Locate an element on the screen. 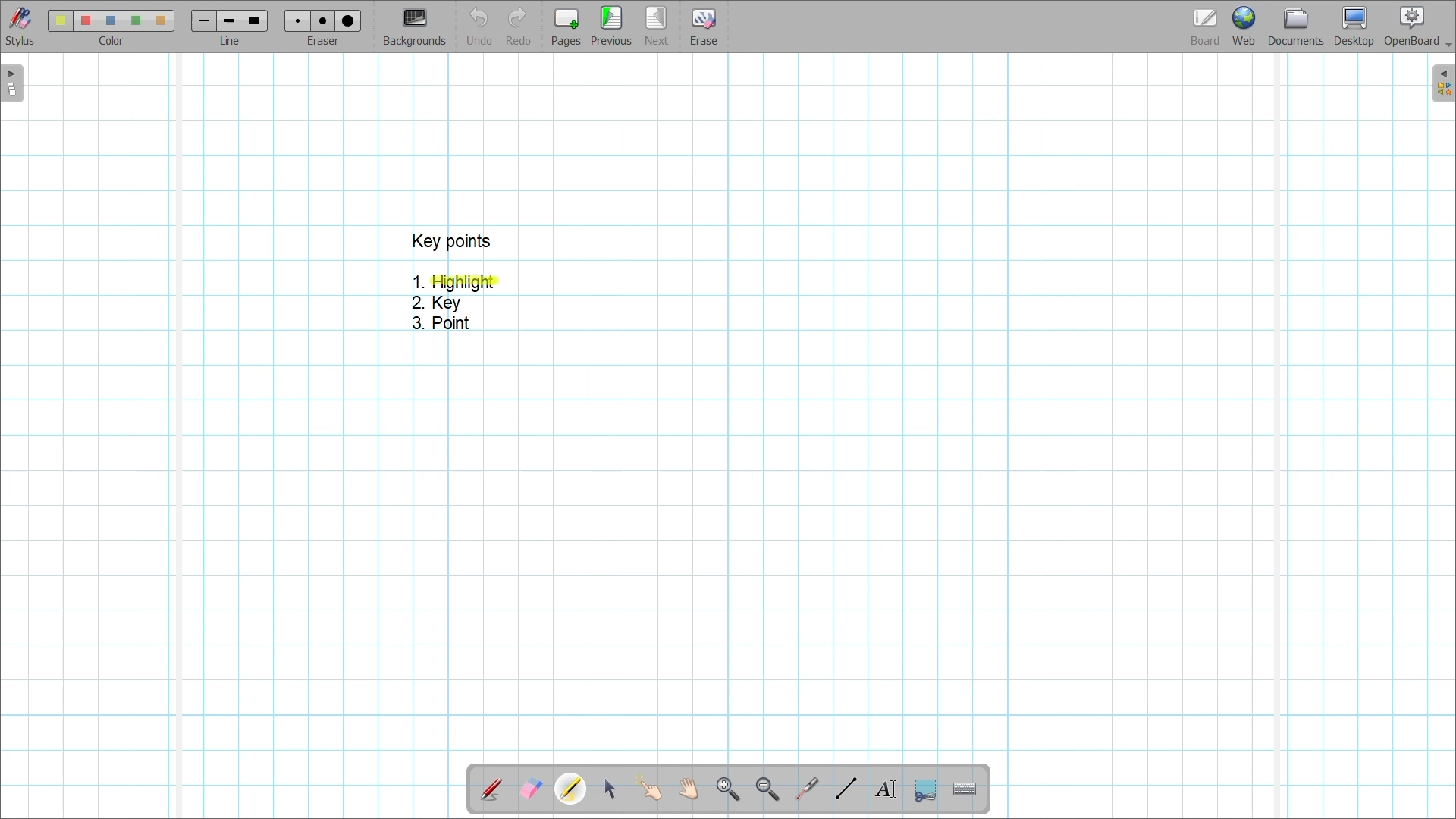 The image size is (1456, 819). color3 is located at coordinates (111, 21).